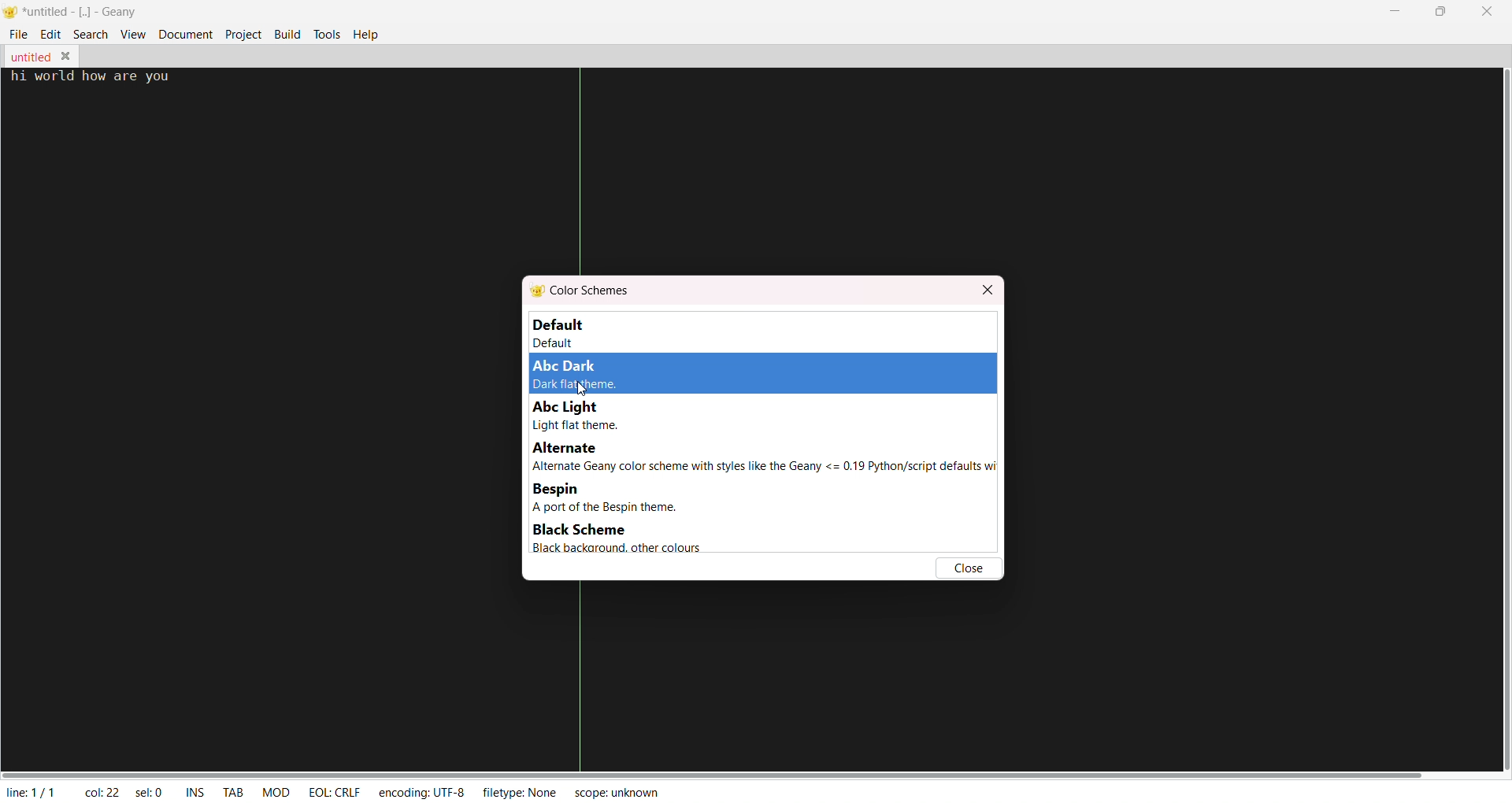 The height and width of the screenshot is (803, 1512). Describe the element at coordinates (582, 291) in the screenshot. I see `color schemes` at that location.